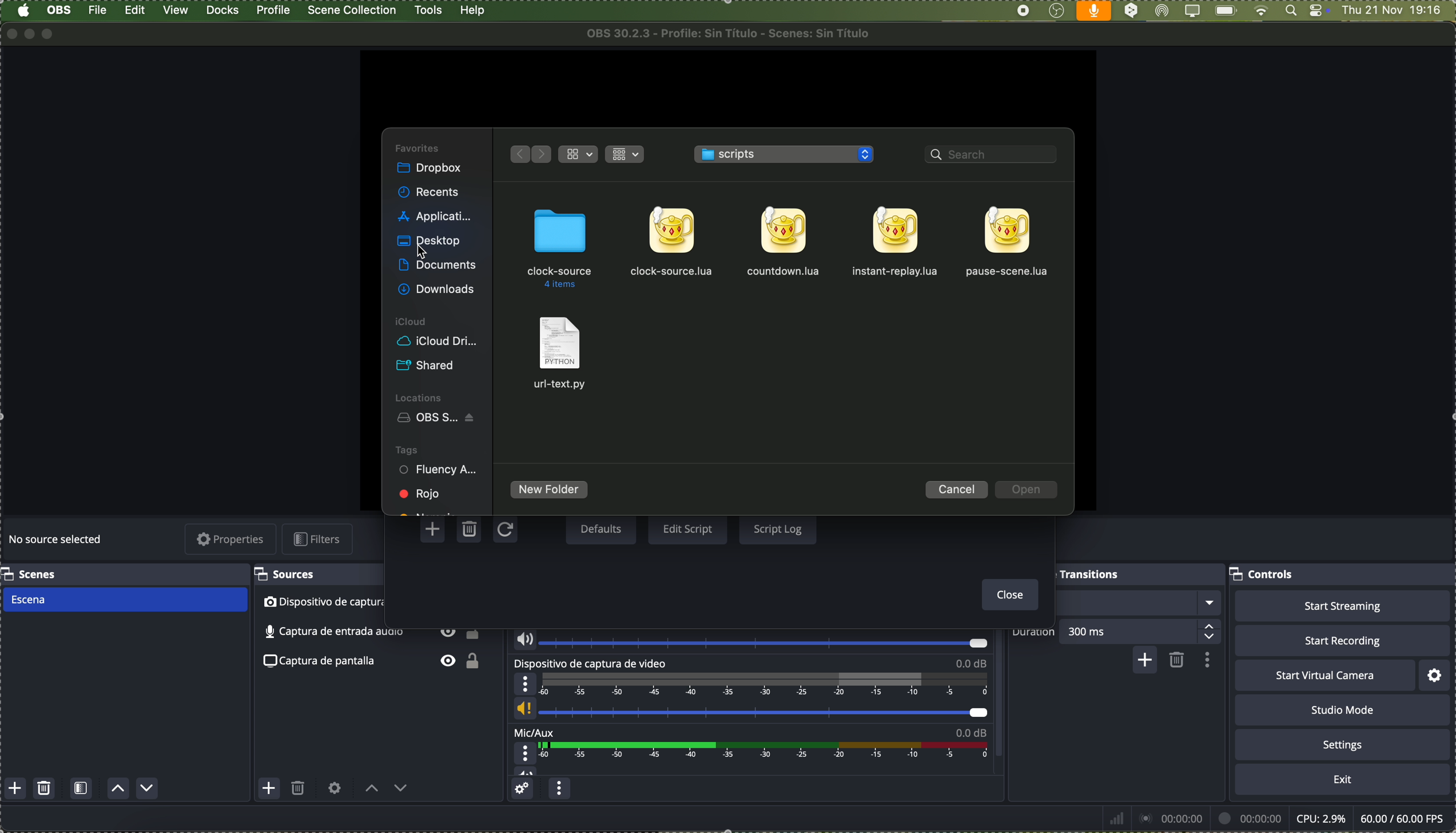 Image resolution: width=1456 pixels, height=833 pixels. I want to click on exit, so click(1343, 780).